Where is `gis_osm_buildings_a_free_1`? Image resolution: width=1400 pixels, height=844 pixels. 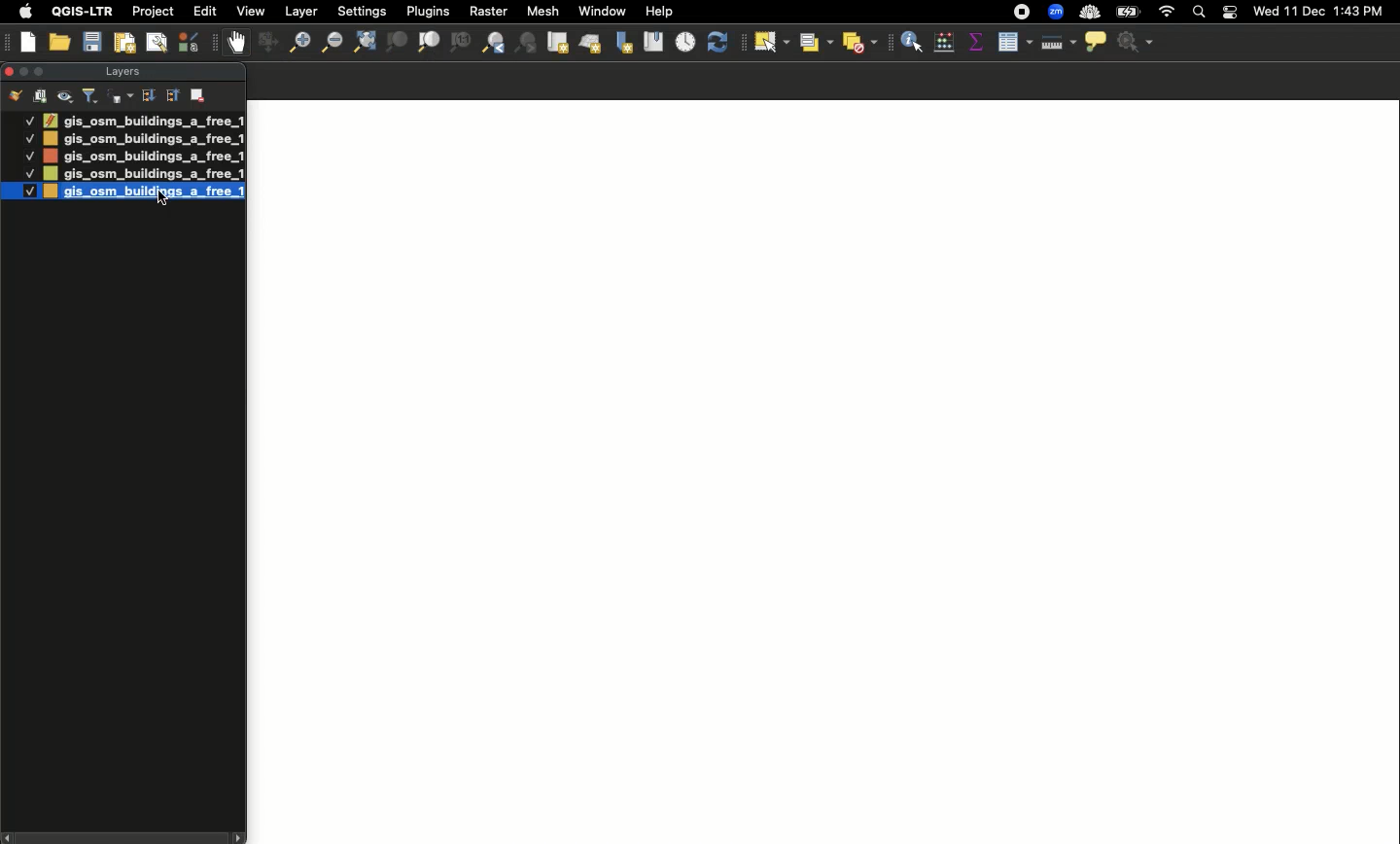
gis_osm_buildings_a_free_1 is located at coordinates (143, 156).